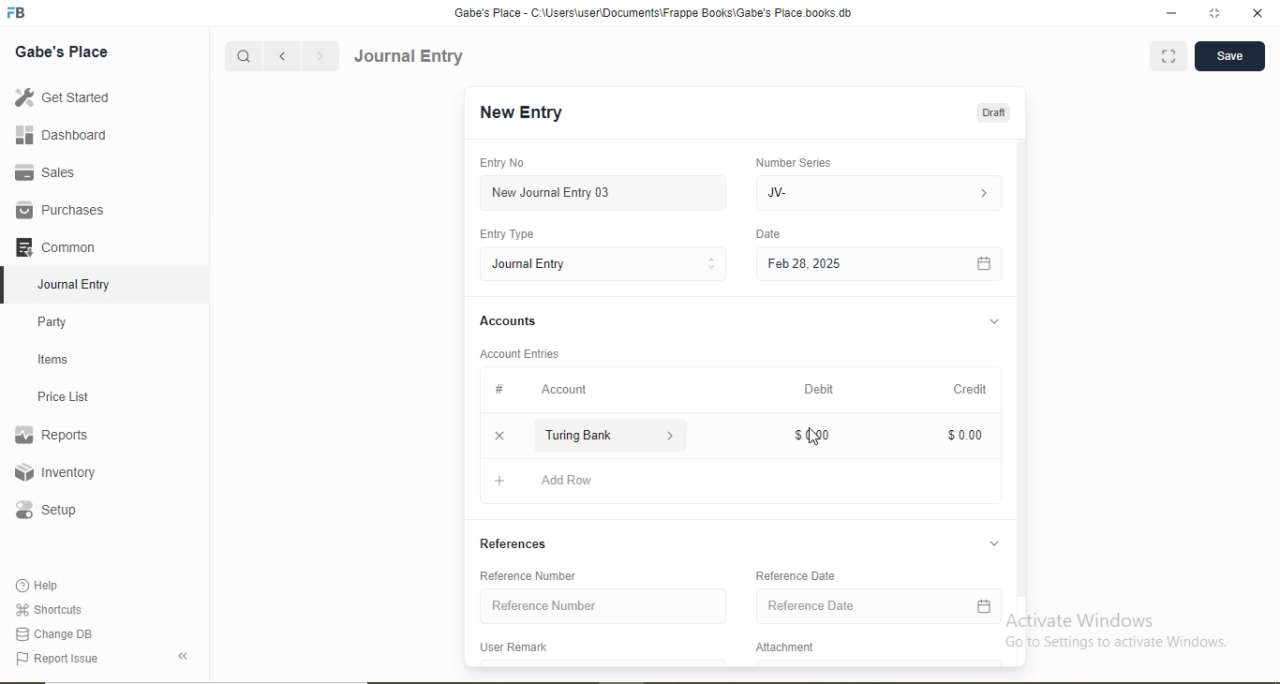 Image resolution: width=1280 pixels, height=684 pixels. Describe the element at coordinates (500, 388) in the screenshot. I see `#` at that location.